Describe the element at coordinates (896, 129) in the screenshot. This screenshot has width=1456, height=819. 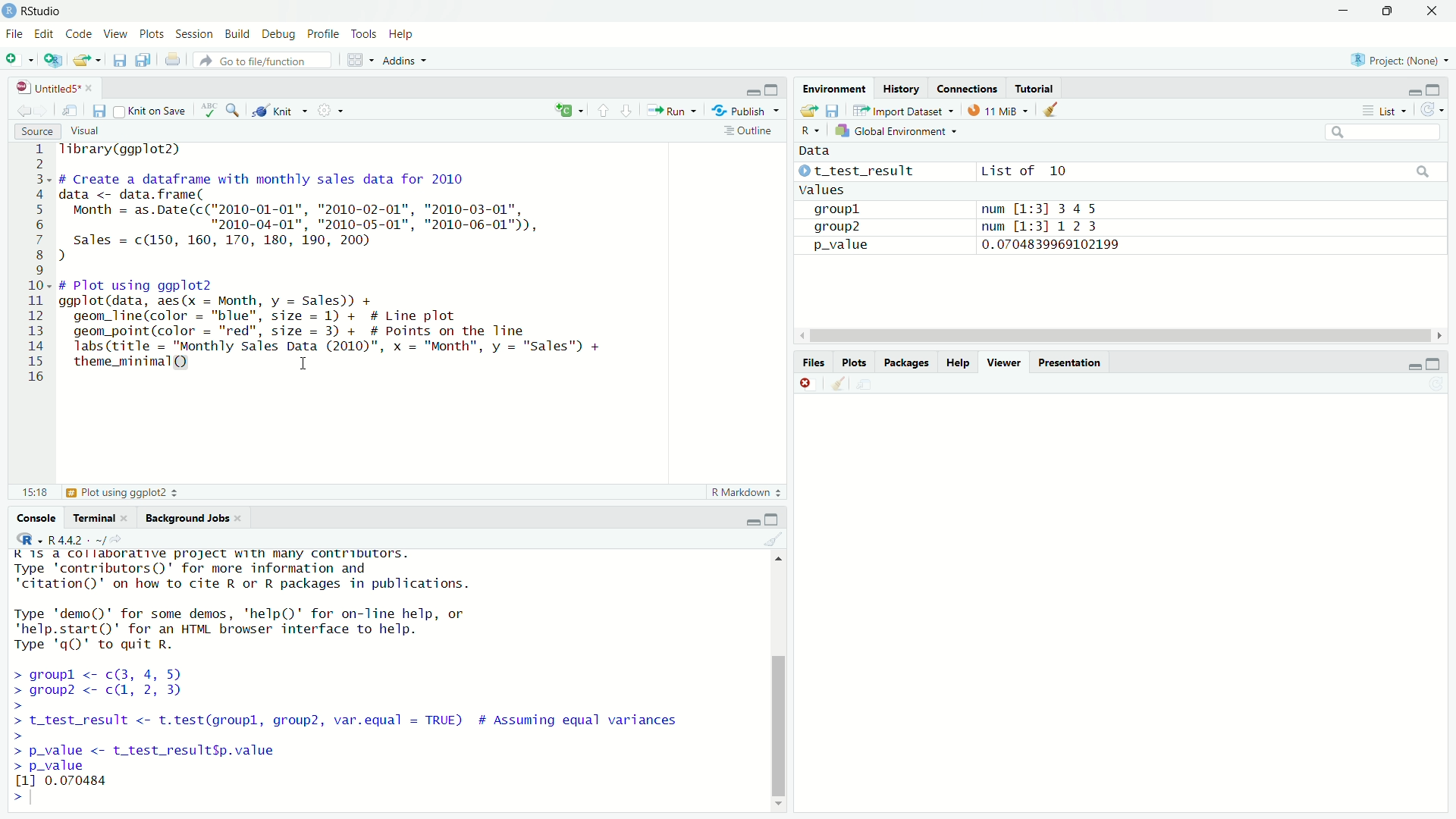
I see `# Global Environment =` at that location.